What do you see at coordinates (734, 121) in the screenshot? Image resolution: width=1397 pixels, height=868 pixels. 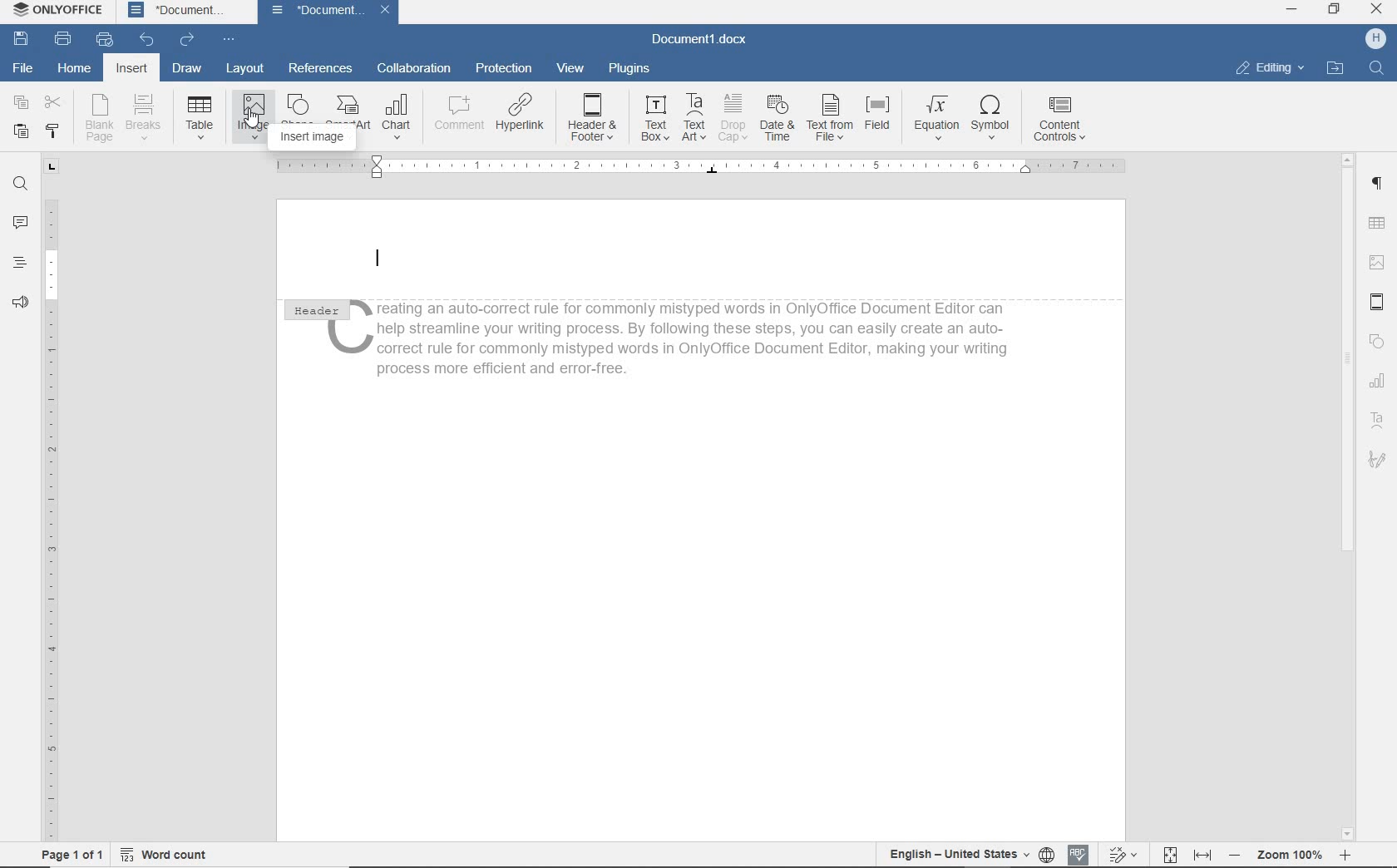 I see `DROP CAP` at bounding box center [734, 121].